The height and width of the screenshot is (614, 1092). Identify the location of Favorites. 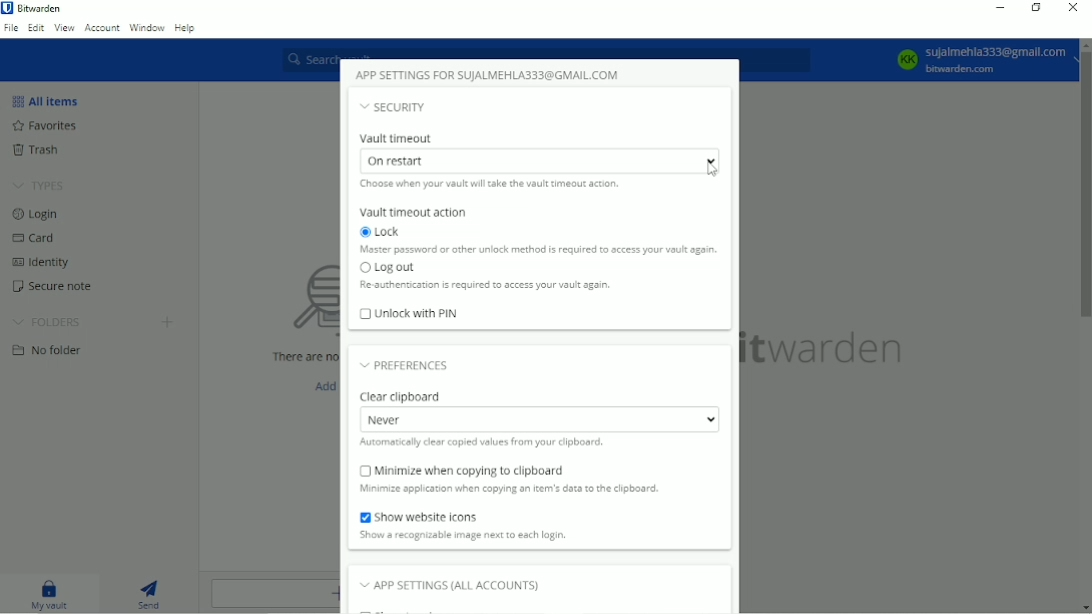
(51, 126).